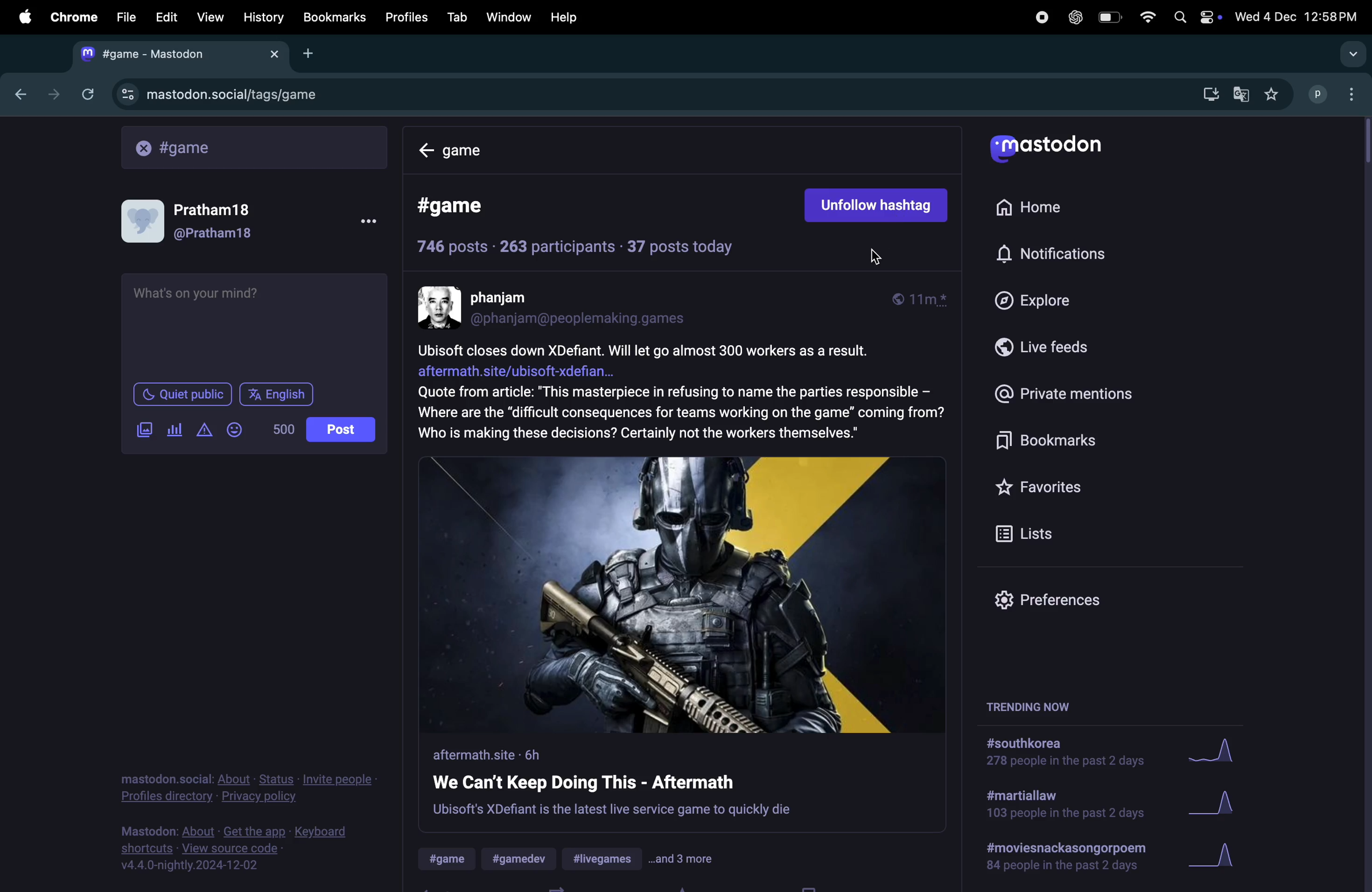 The image size is (1372, 892). Describe the element at coordinates (1066, 351) in the screenshot. I see `Live feeds` at that location.